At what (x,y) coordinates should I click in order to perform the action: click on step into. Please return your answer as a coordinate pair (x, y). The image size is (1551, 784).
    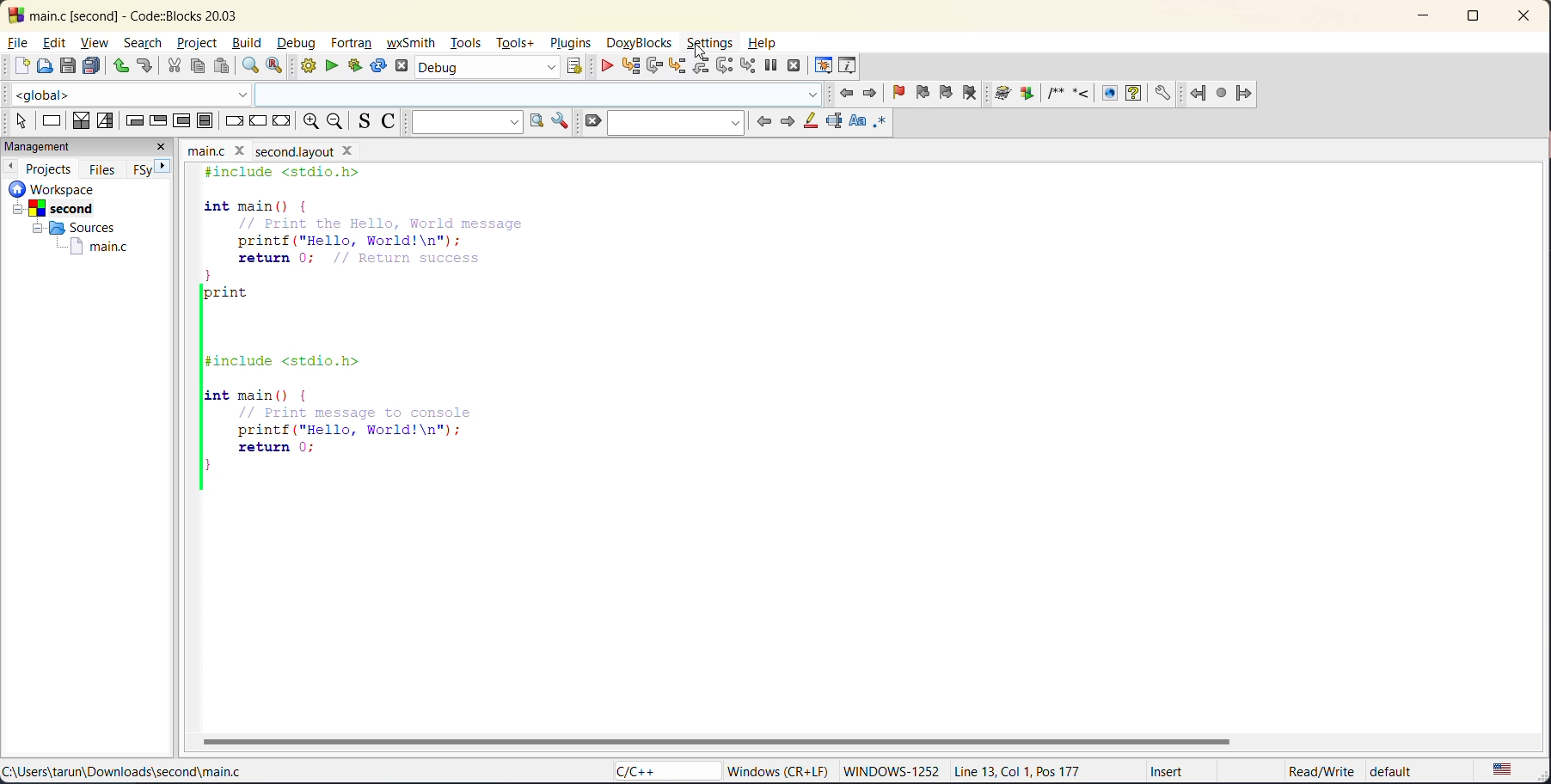
    Looking at the image, I should click on (676, 67).